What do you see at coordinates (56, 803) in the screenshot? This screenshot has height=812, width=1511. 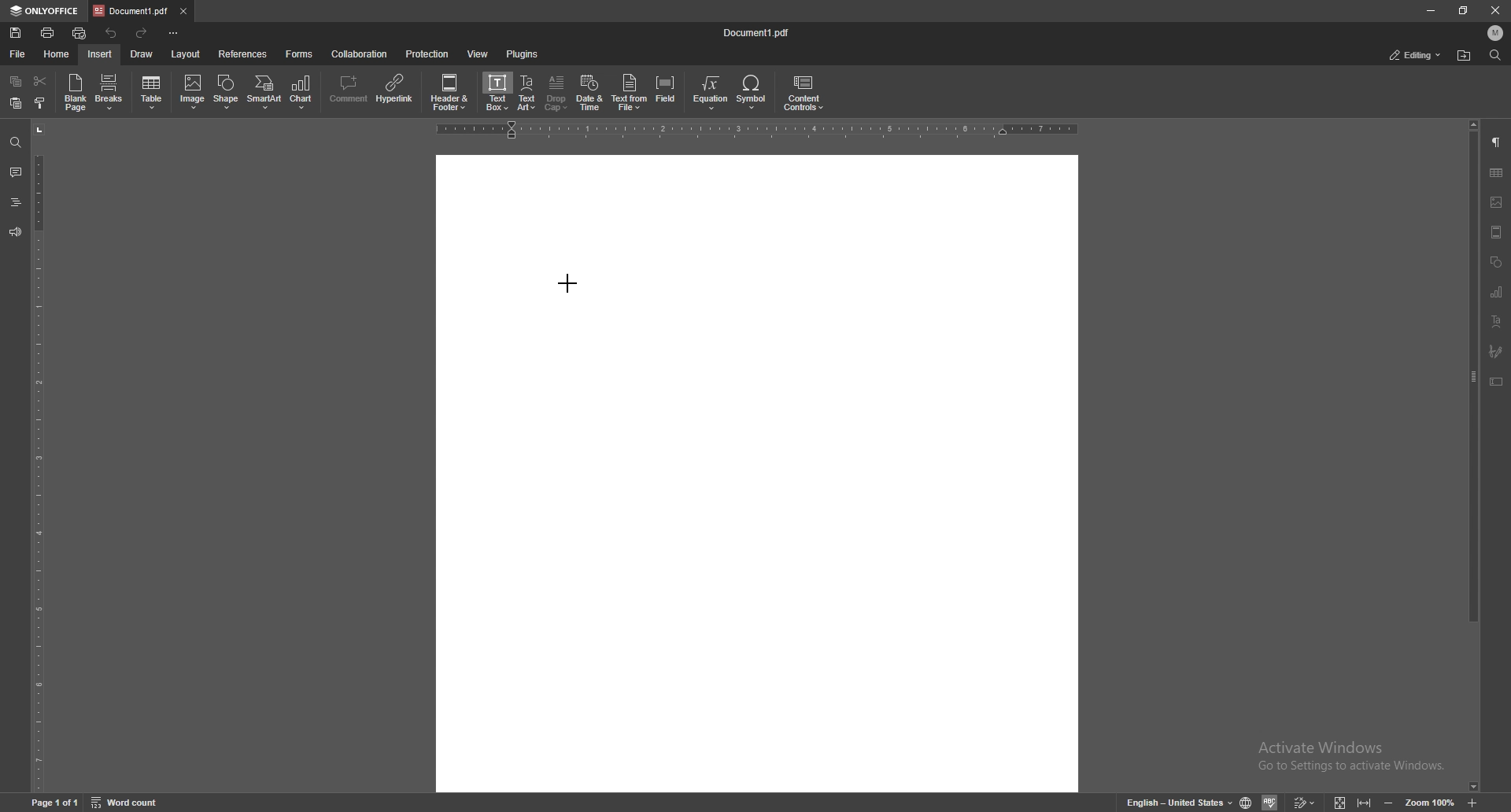 I see `page 1 of 1` at bounding box center [56, 803].